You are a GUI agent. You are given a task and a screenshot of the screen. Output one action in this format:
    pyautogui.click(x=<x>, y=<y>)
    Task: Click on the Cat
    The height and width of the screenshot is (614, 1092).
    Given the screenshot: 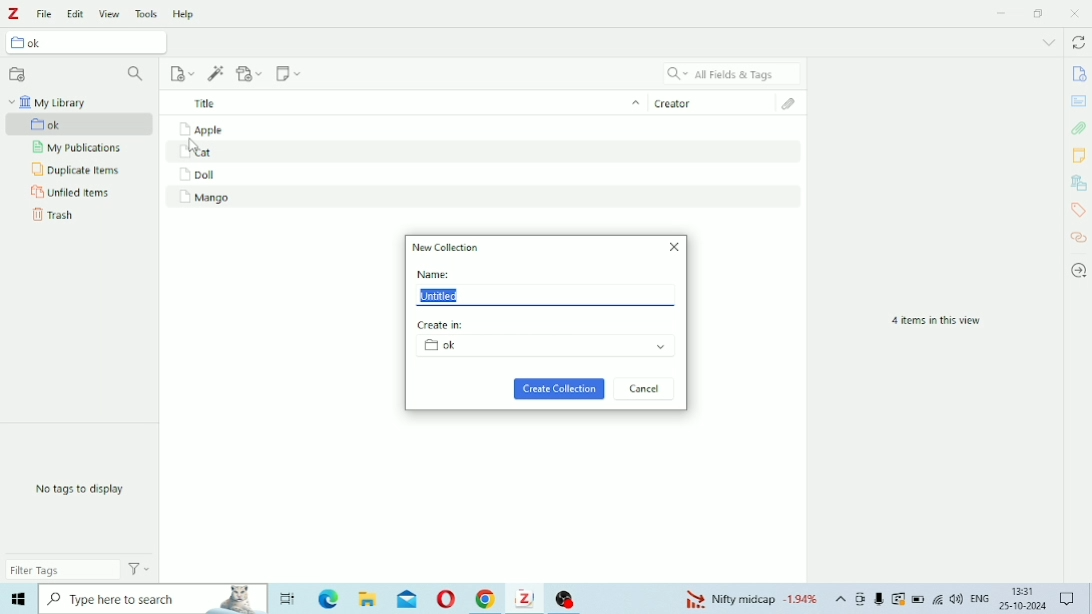 What is the action you would take?
    pyautogui.click(x=202, y=153)
    